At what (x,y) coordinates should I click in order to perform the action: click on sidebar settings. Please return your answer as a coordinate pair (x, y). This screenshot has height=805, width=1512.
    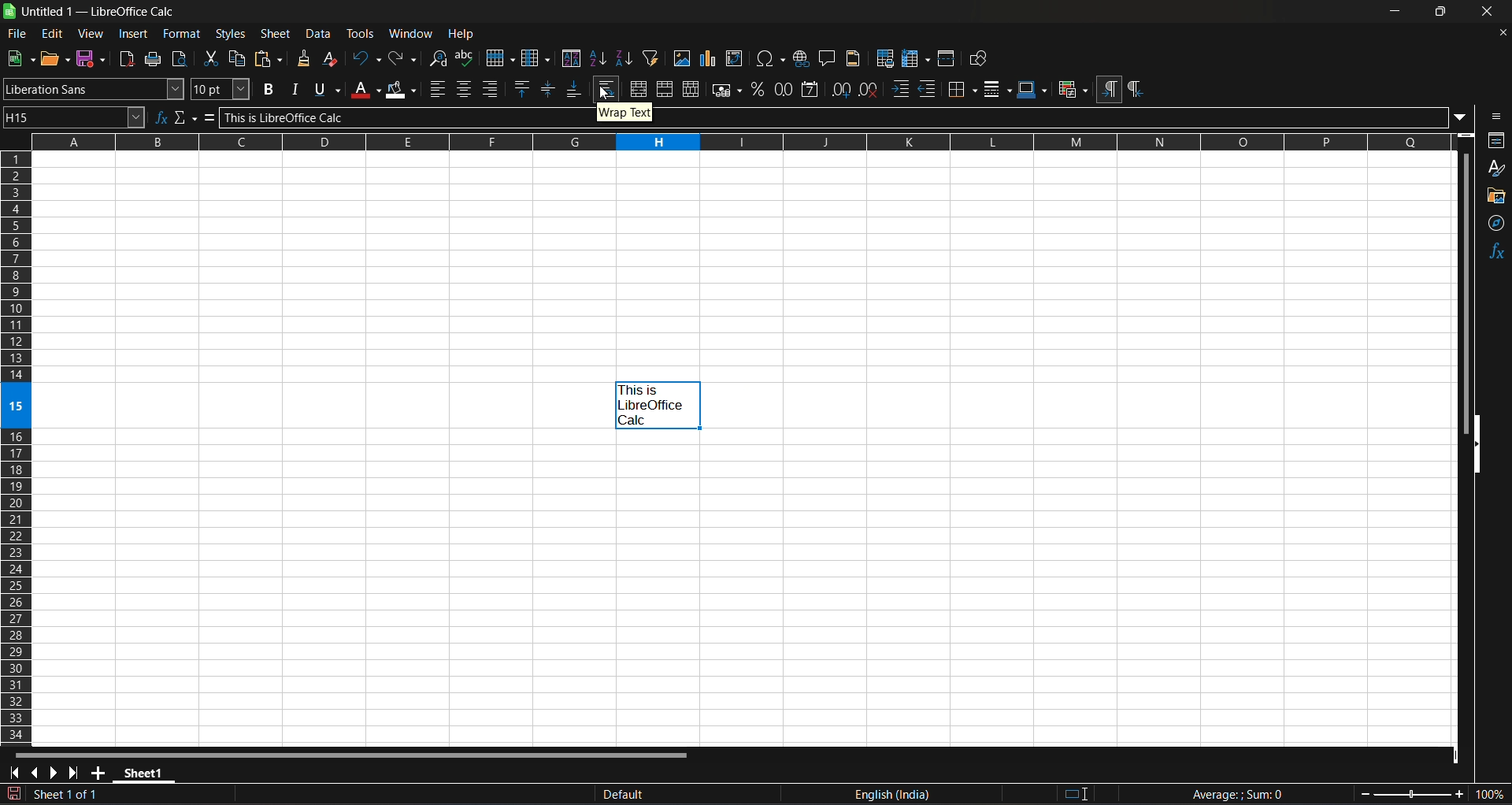
    Looking at the image, I should click on (1495, 117).